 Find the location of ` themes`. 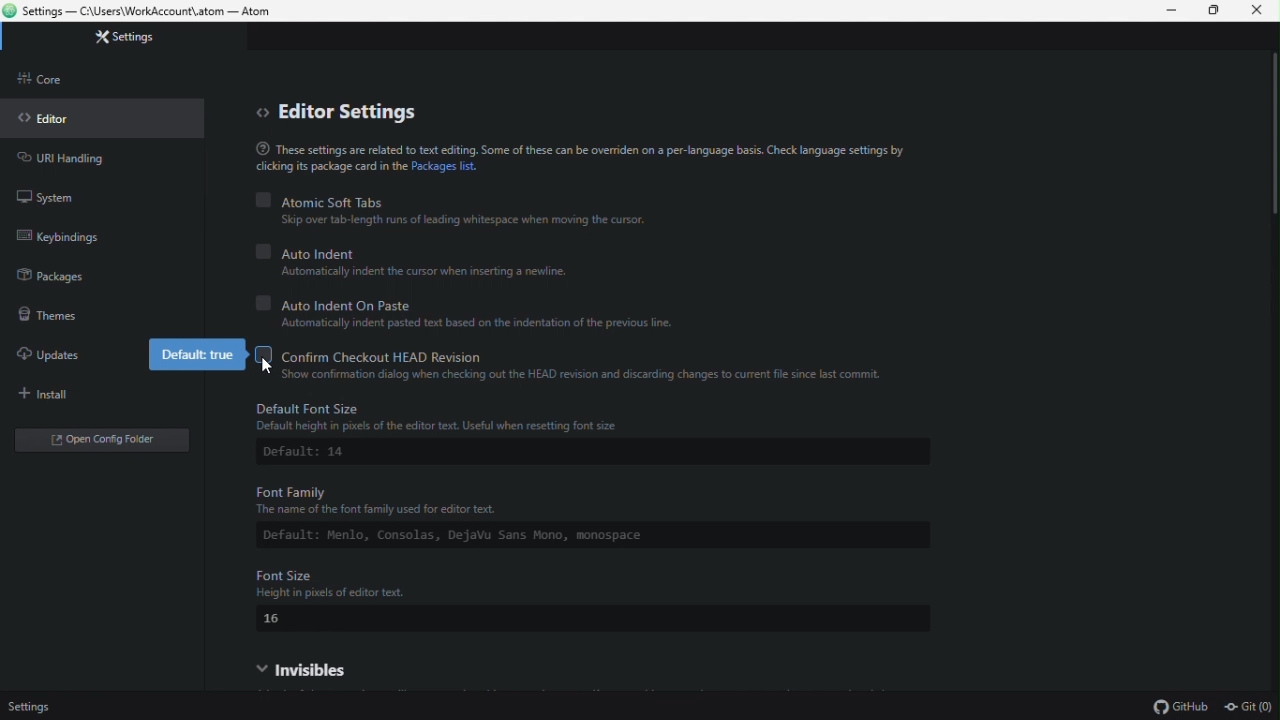

 themes is located at coordinates (55, 318).